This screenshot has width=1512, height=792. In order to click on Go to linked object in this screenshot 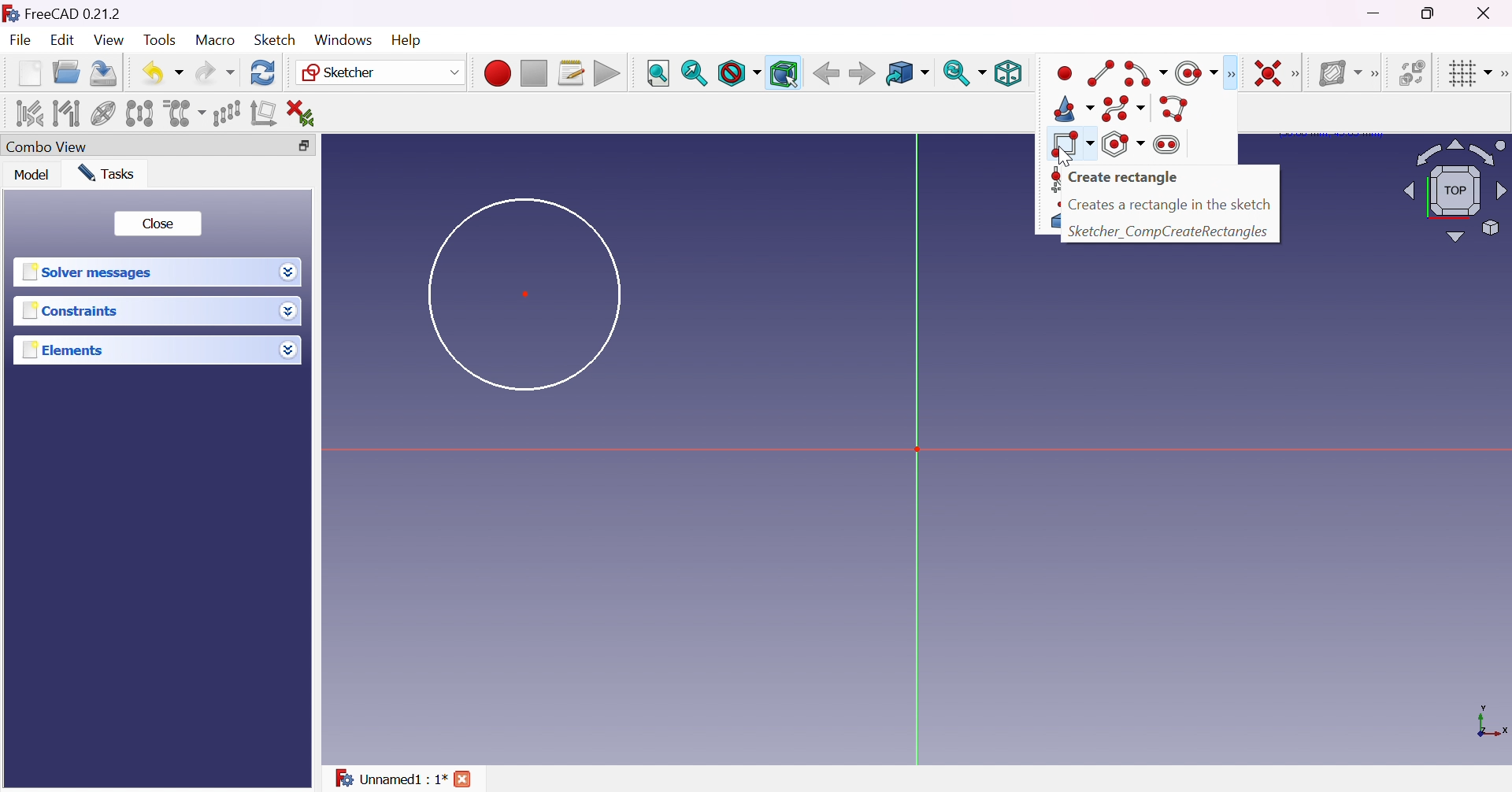, I will do `click(906, 74)`.